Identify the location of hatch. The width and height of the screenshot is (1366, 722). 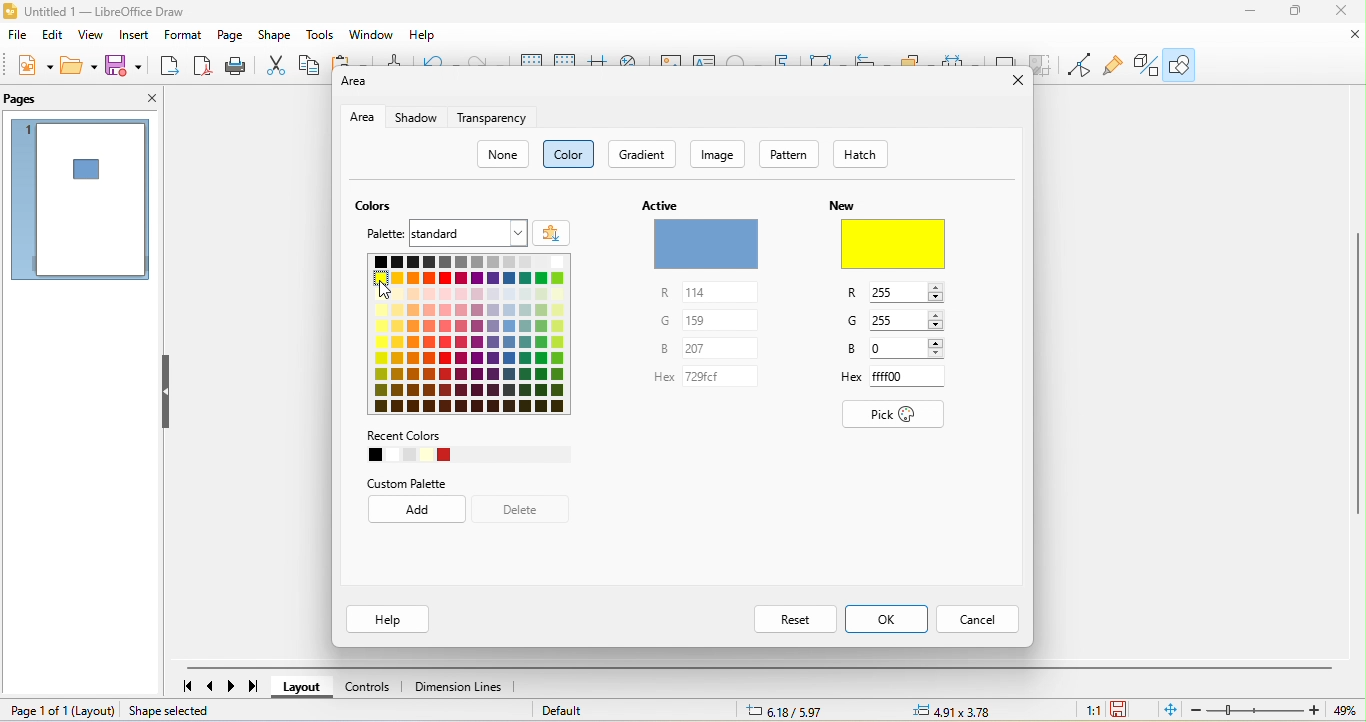
(865, 154).